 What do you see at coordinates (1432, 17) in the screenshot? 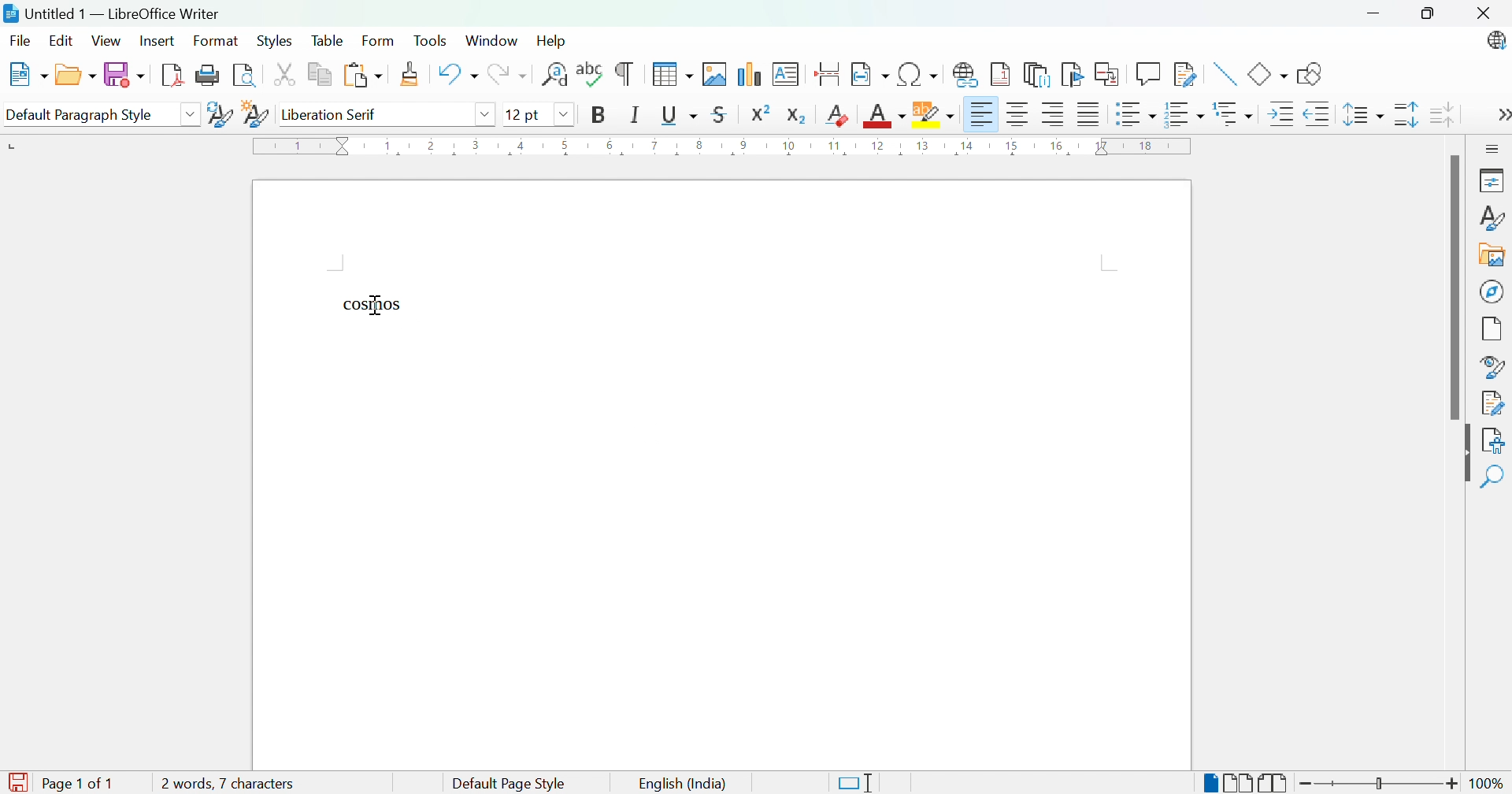
I see `Restore down` at bounding box center [1432, 17].